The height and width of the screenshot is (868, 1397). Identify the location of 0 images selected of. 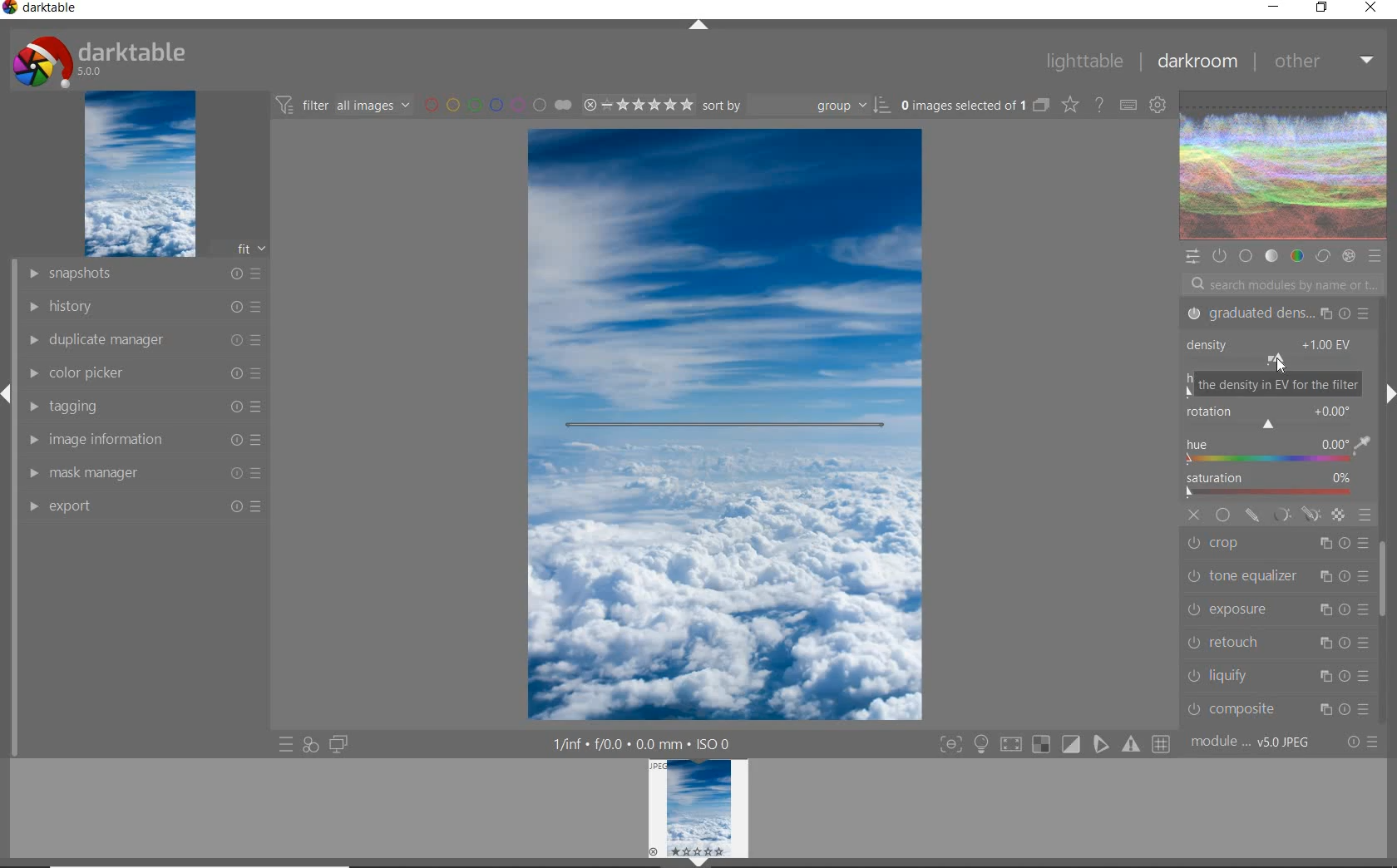
(961, 104).